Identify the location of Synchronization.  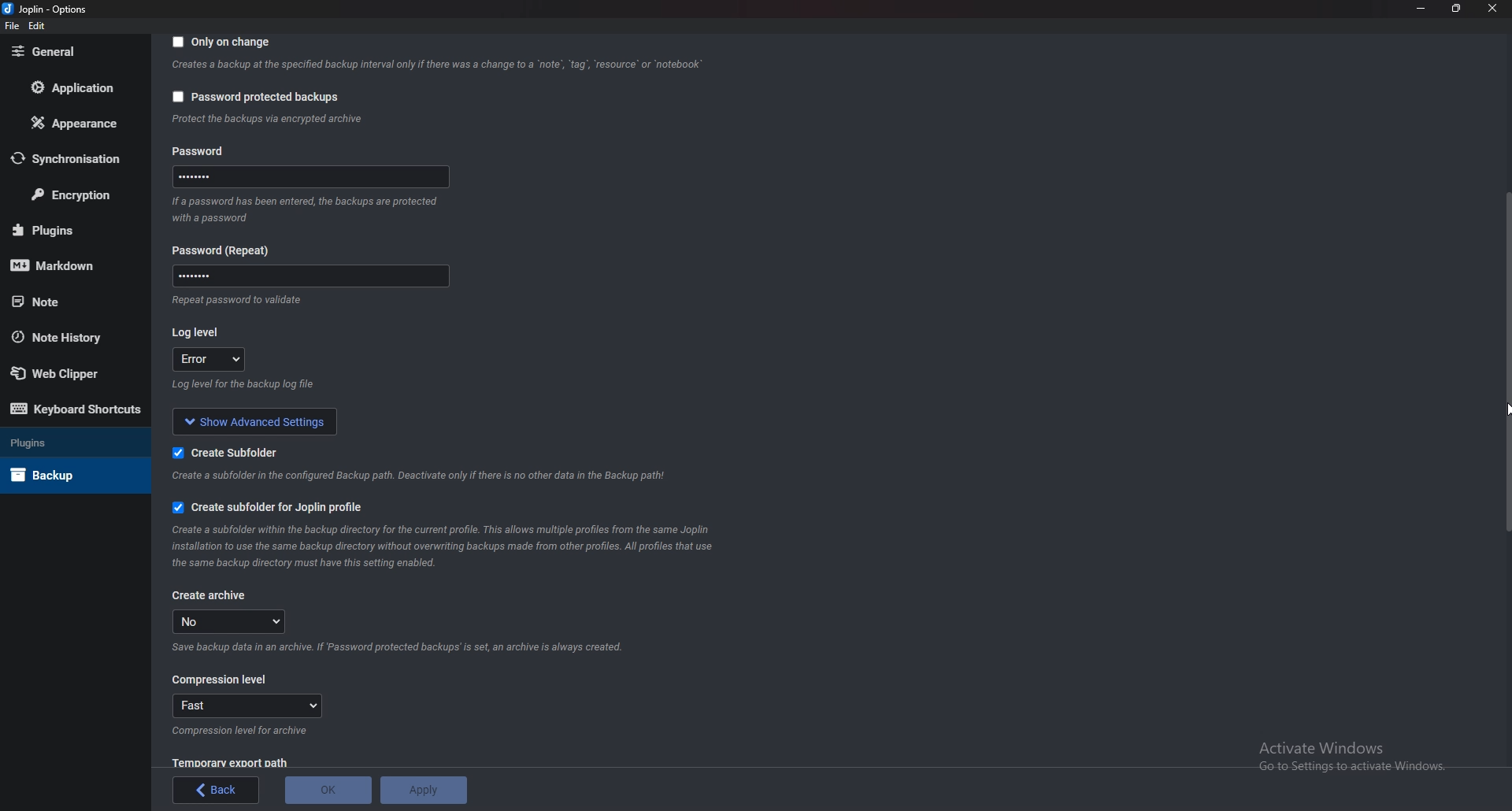
(71, 157).